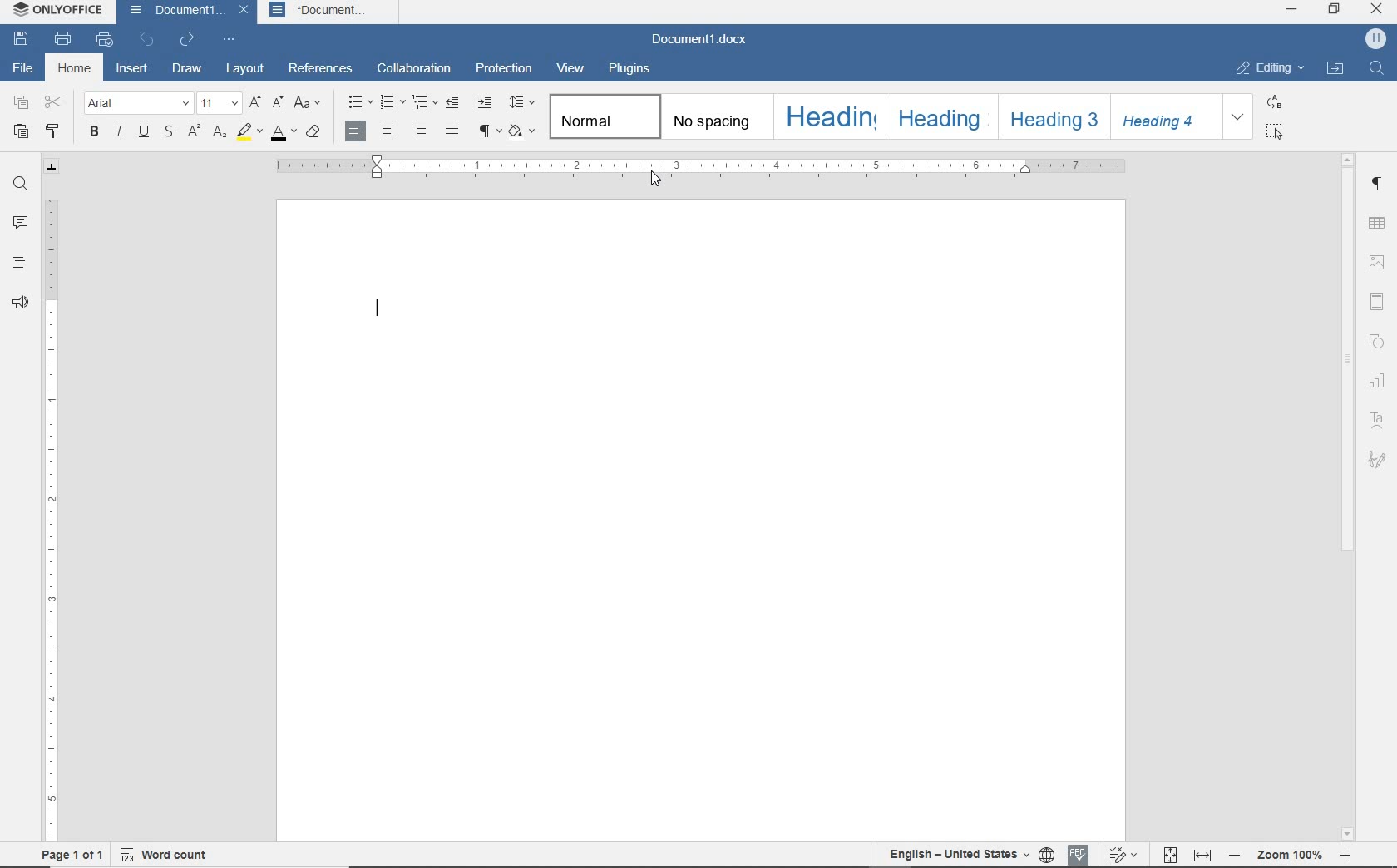 The height and width of the screenshot is (868, 1397). I want to click on EDITOR, so click(375, 305).